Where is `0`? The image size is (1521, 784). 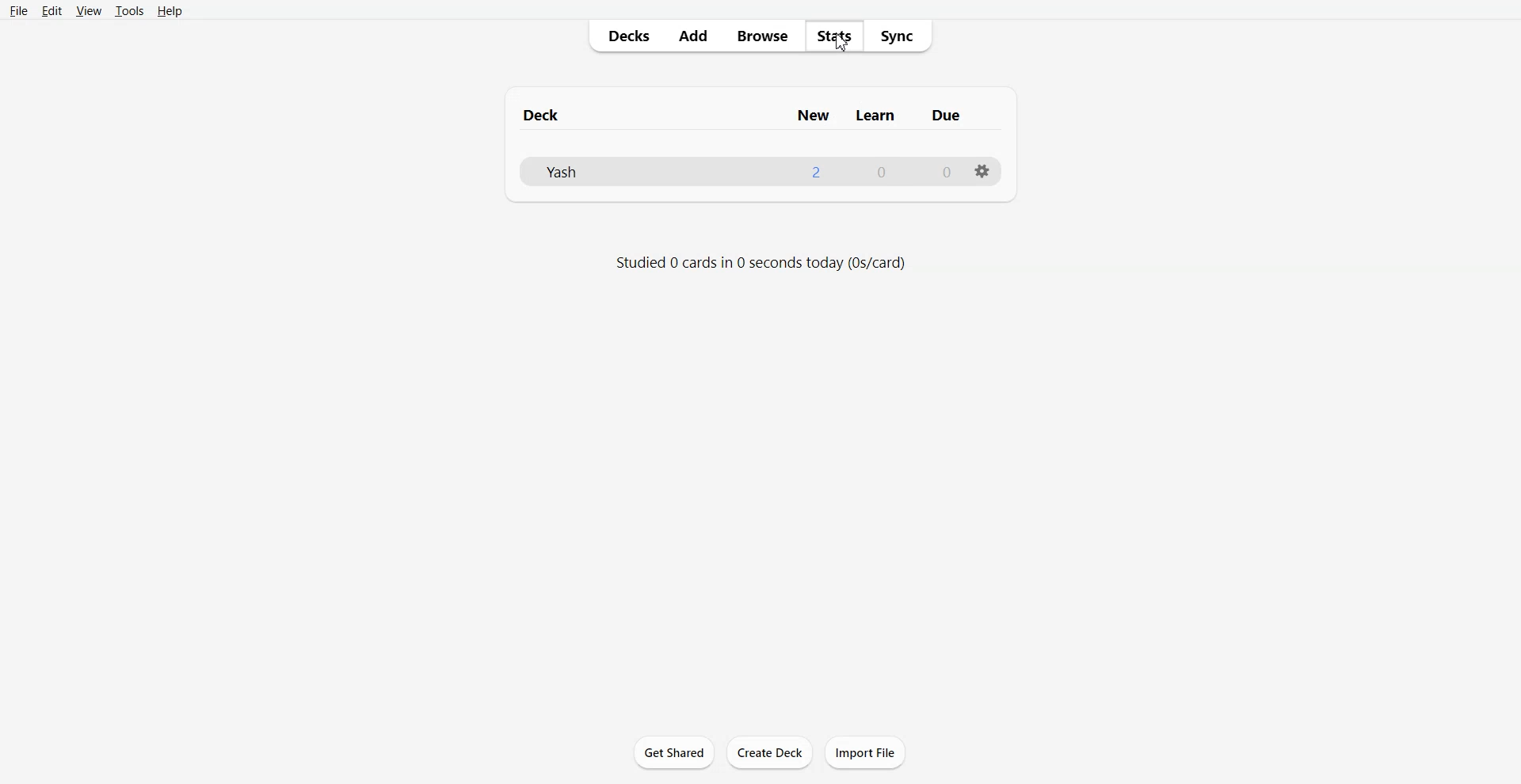 0 is located at coordinates (885, 169).